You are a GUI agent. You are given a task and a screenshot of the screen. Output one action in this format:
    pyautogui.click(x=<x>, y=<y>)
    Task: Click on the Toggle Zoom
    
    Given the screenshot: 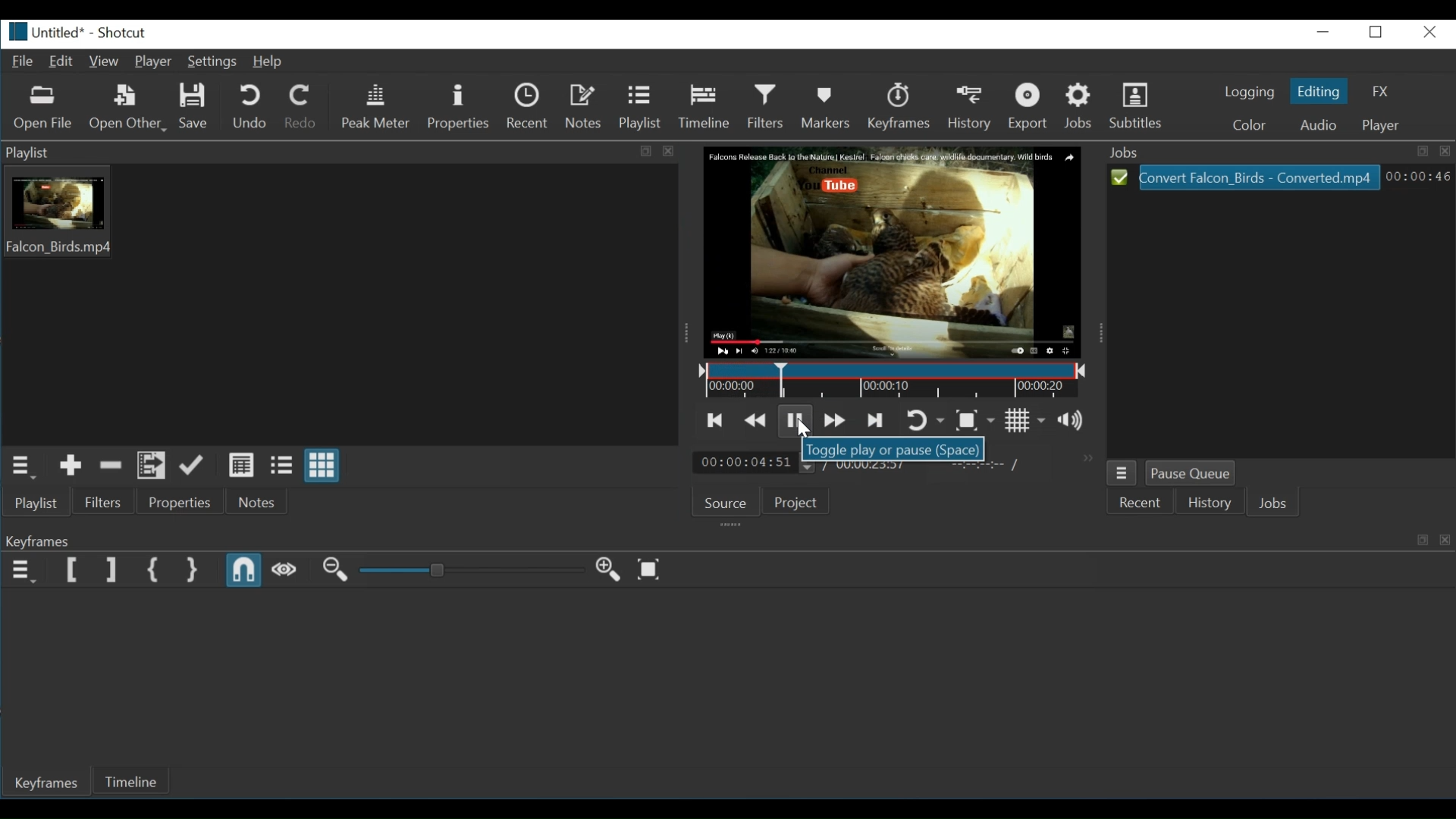 What is the action you would take?
    pyautogui.click(x=975, y=420)
    